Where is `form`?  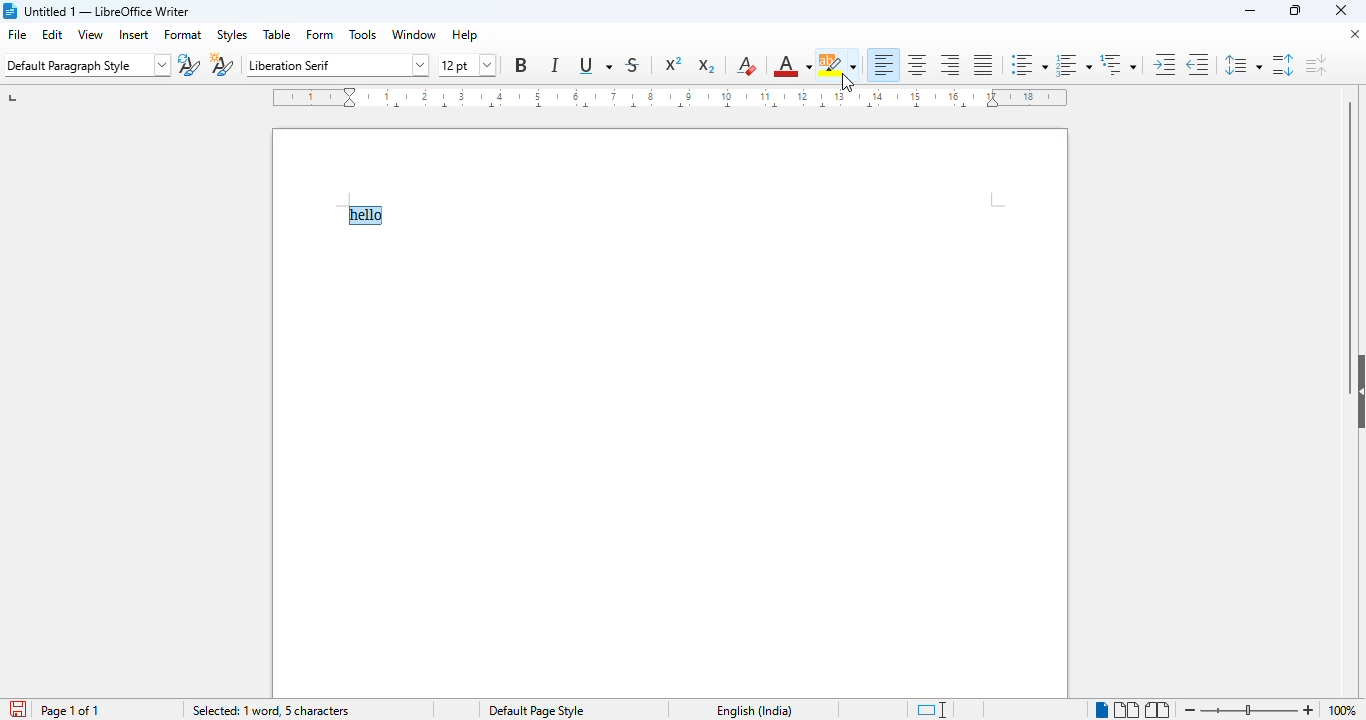 form is located at coordinates (321, 34).